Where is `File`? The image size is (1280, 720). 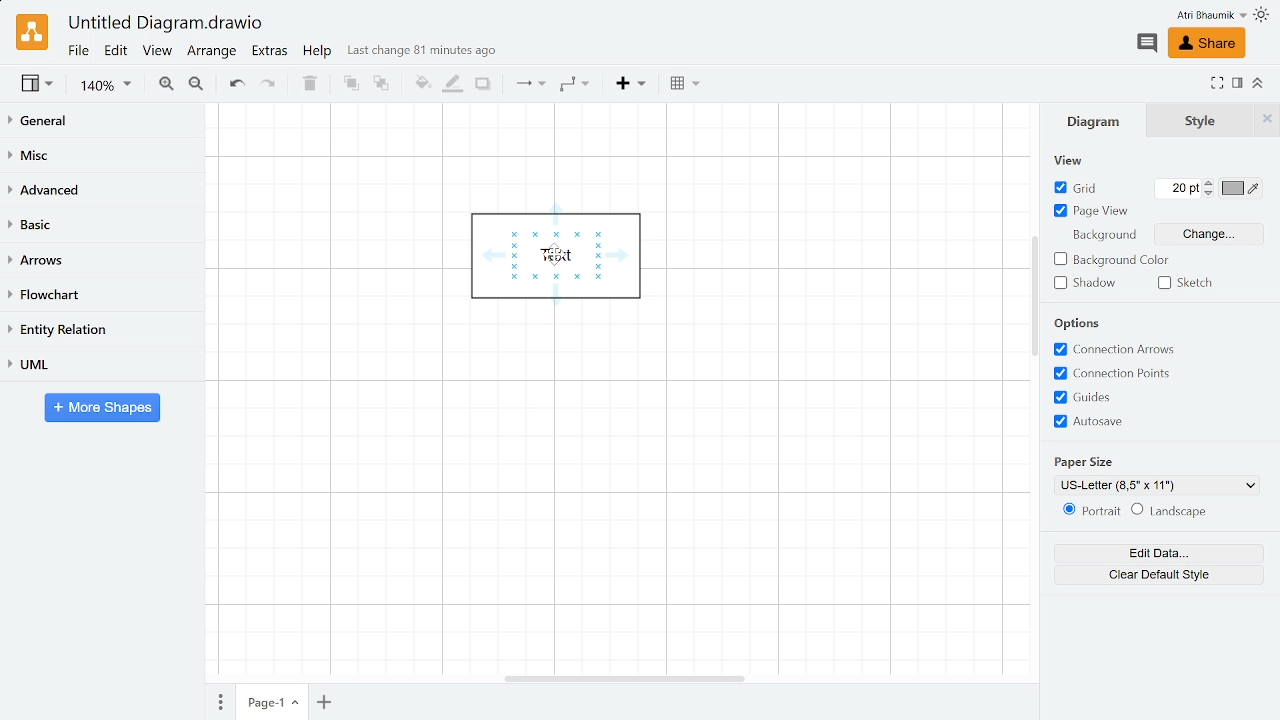 File is located at coordinates (77, 50).